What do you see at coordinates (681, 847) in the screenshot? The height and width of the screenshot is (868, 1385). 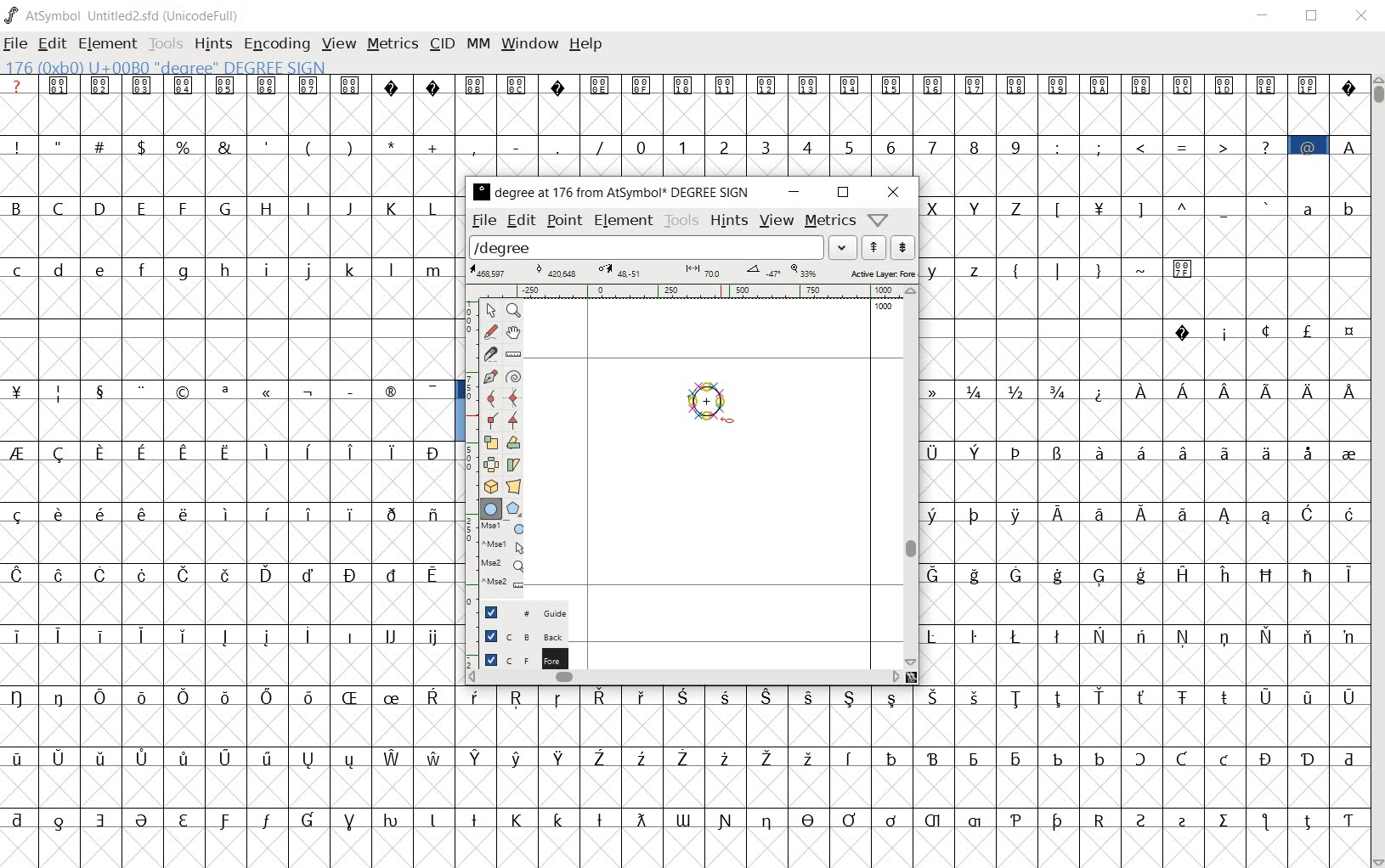 I see `empty glyph slot` at bounding box center [681, 847].